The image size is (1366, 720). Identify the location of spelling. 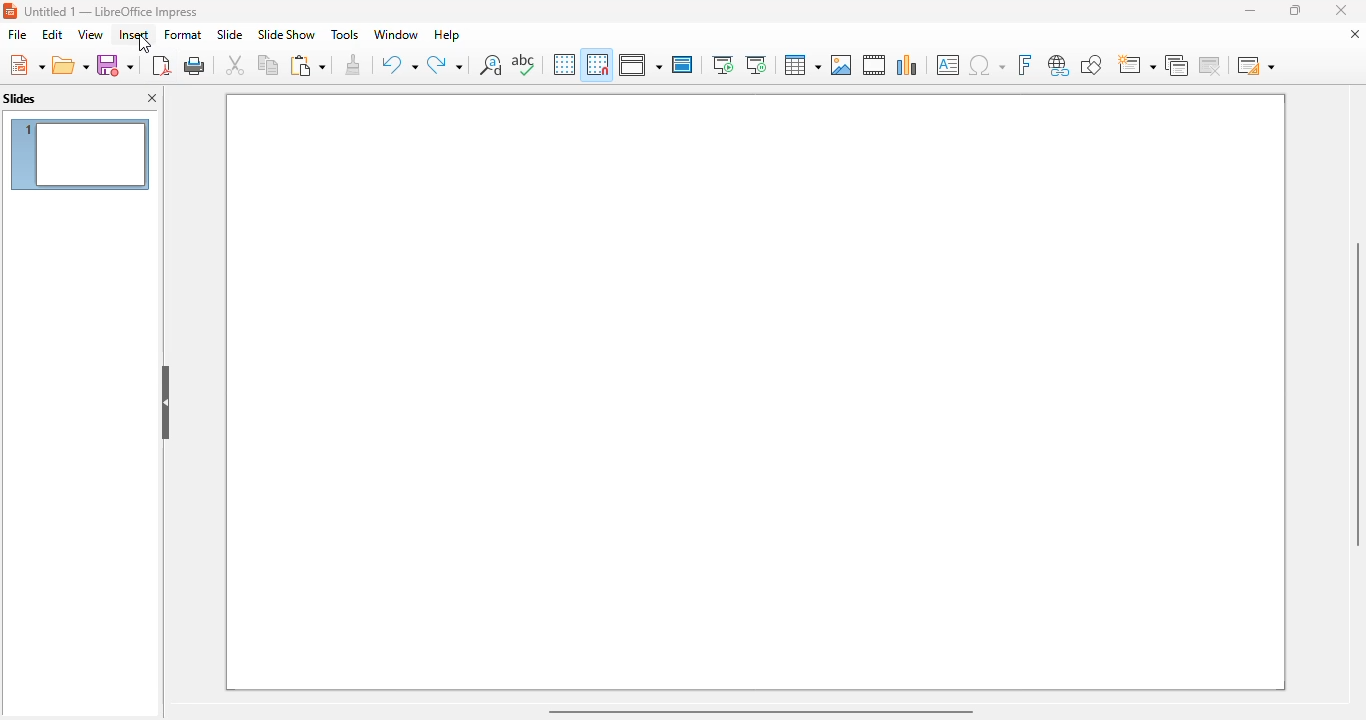
(523, 64).